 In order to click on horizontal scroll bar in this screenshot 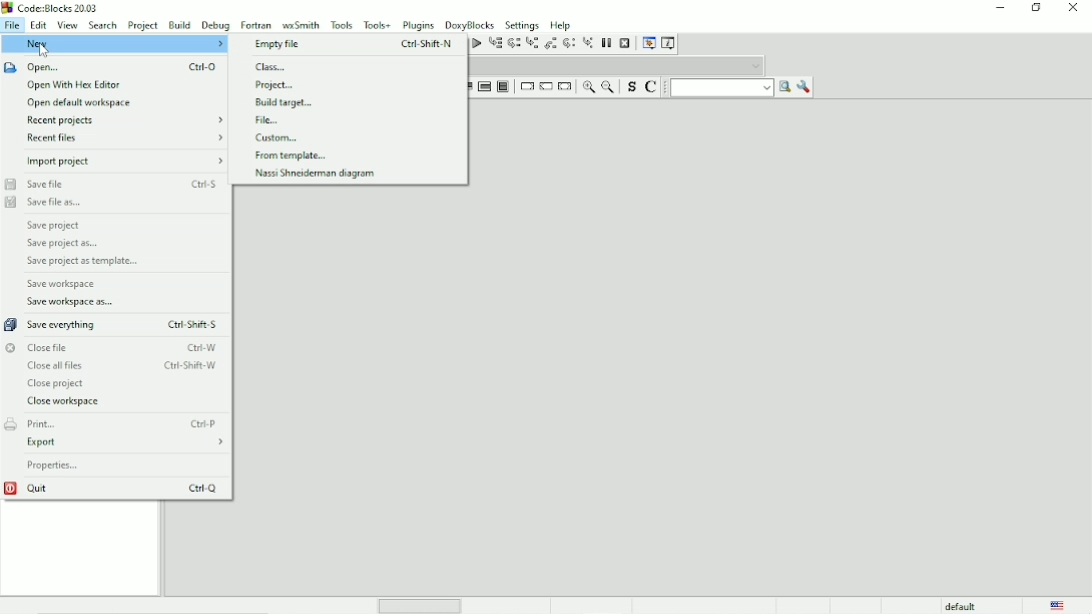, I will do `click(424, 605)`.